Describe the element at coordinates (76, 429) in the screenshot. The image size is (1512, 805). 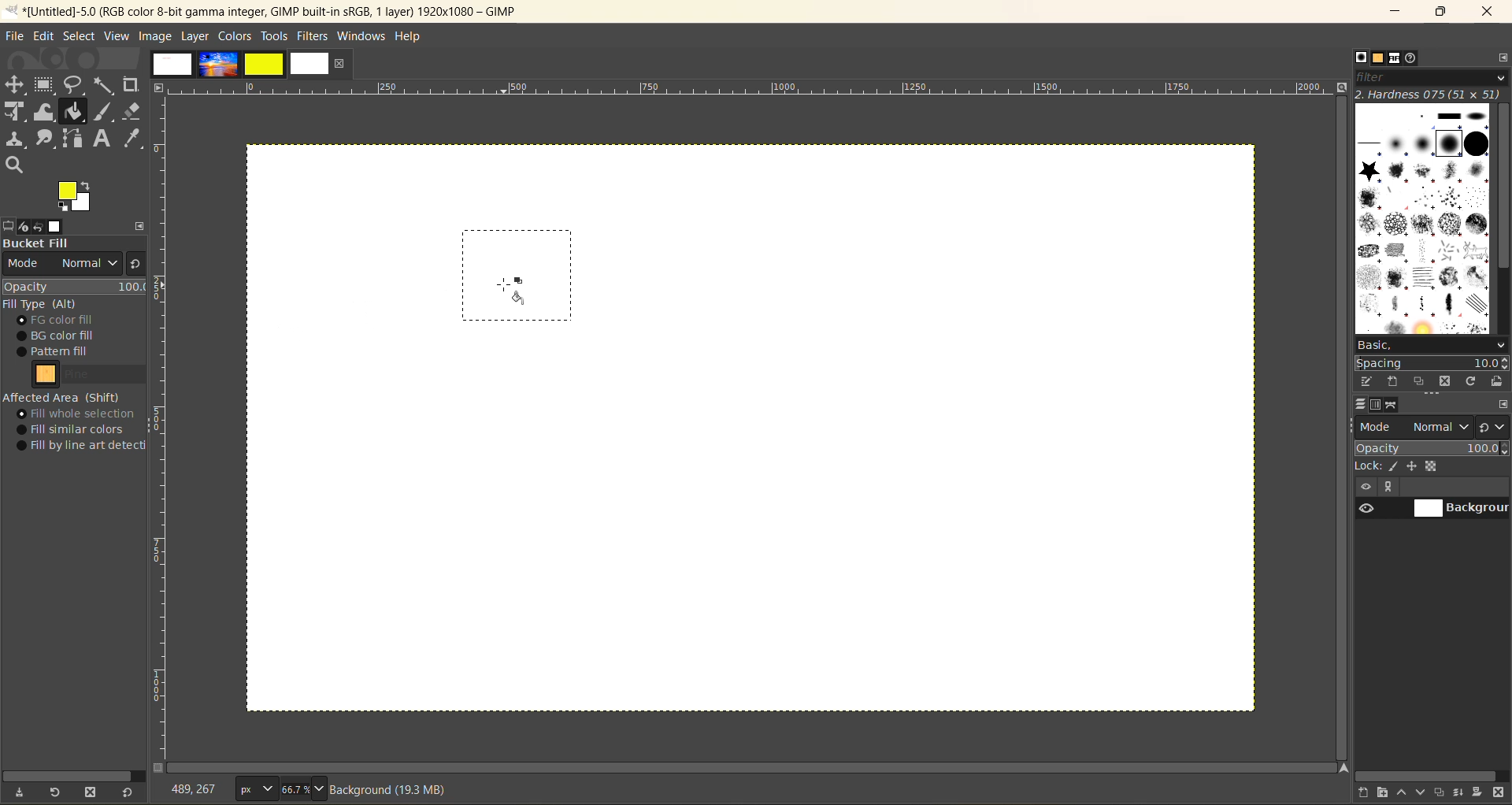
I see `fill similar colors` at that location.